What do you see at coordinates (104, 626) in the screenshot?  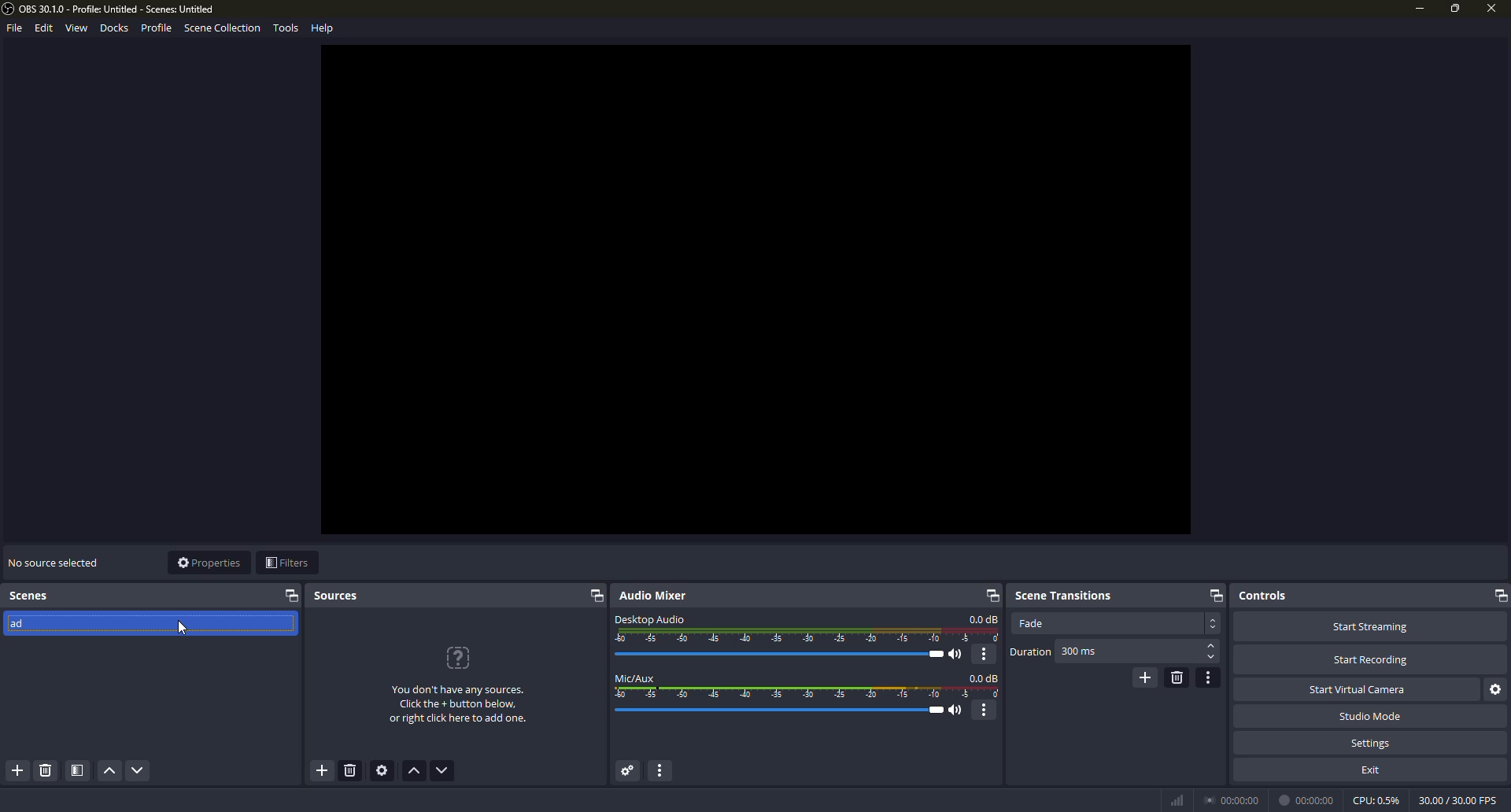 I see `selected scene` at bounding box center [104, 626].